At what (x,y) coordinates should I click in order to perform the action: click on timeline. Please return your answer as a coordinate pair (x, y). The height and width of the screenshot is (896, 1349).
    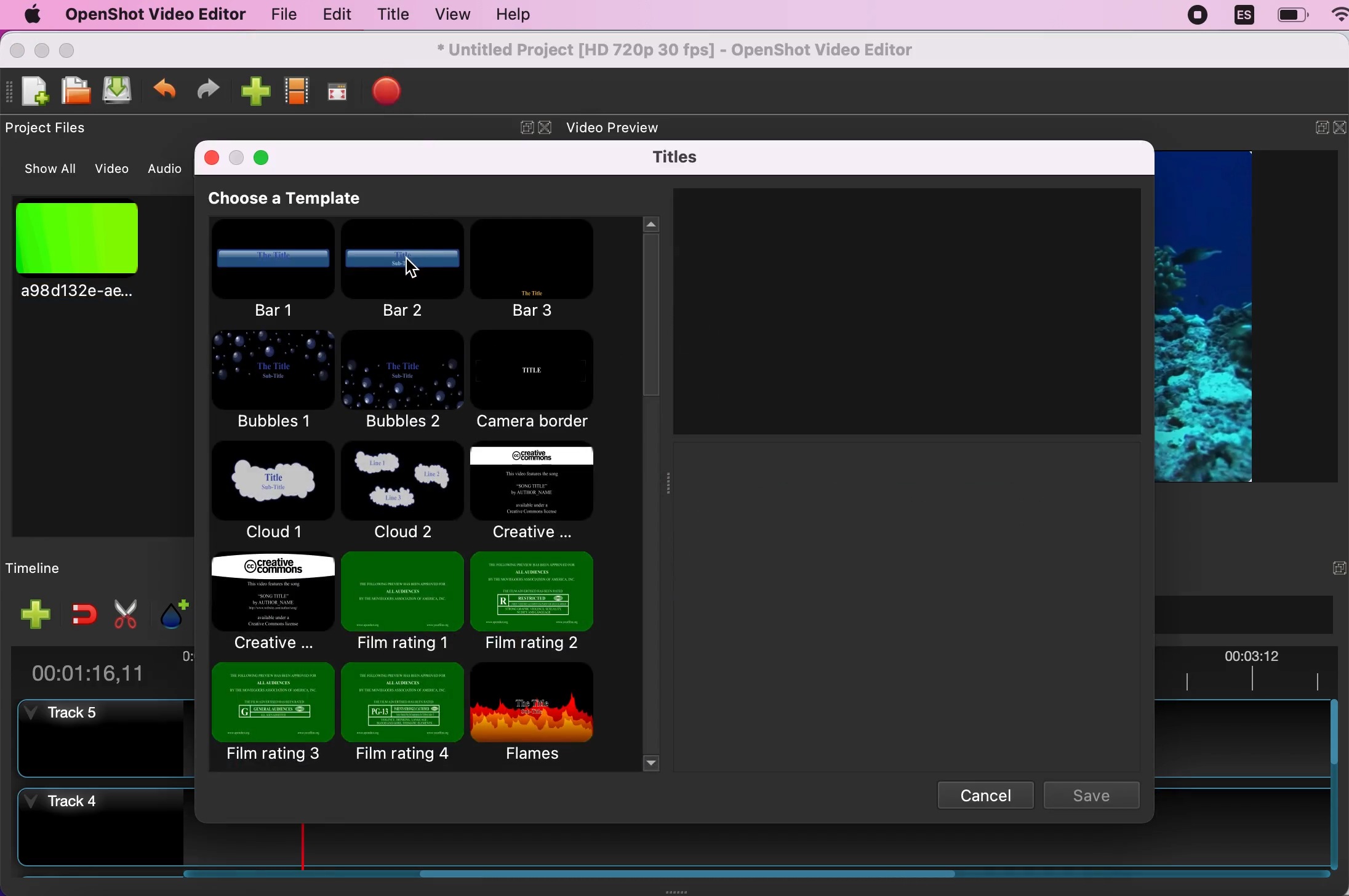
    Looking at the image, I should click on (66, 567).